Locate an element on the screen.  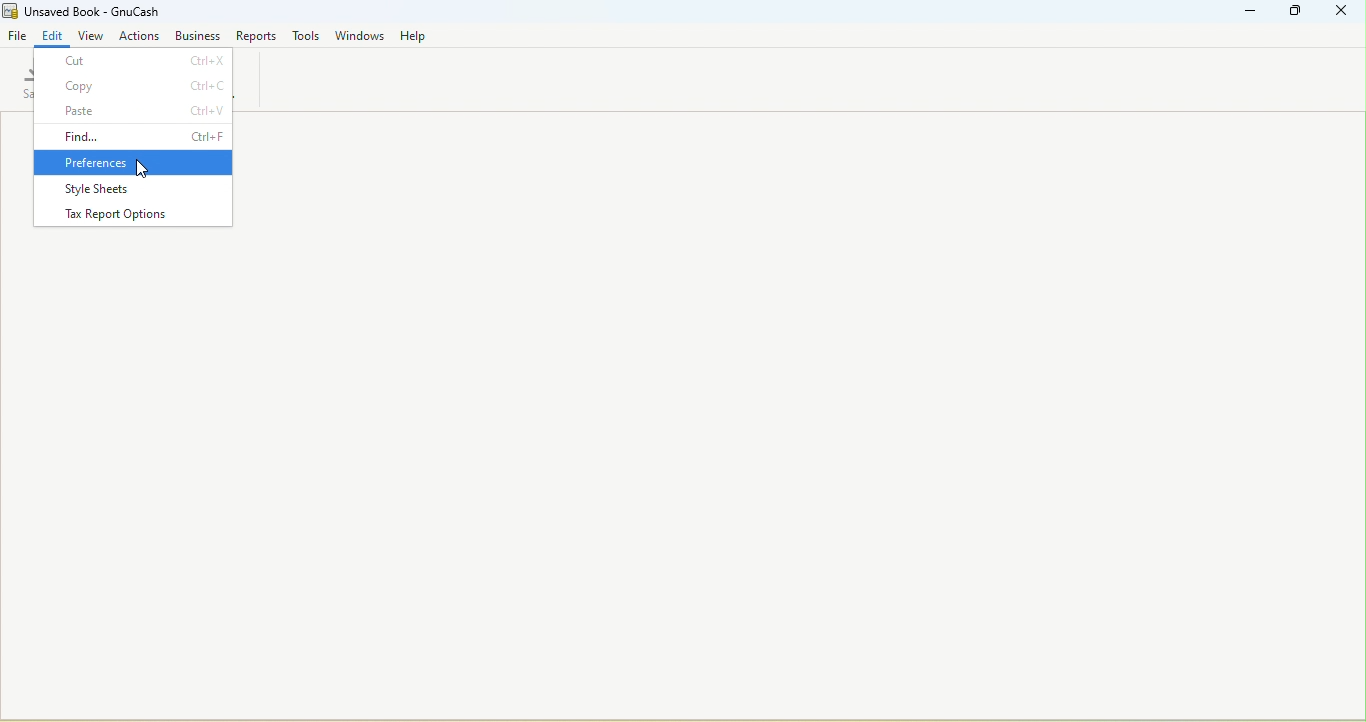
Minimize is located at coordinates (1250, 14).